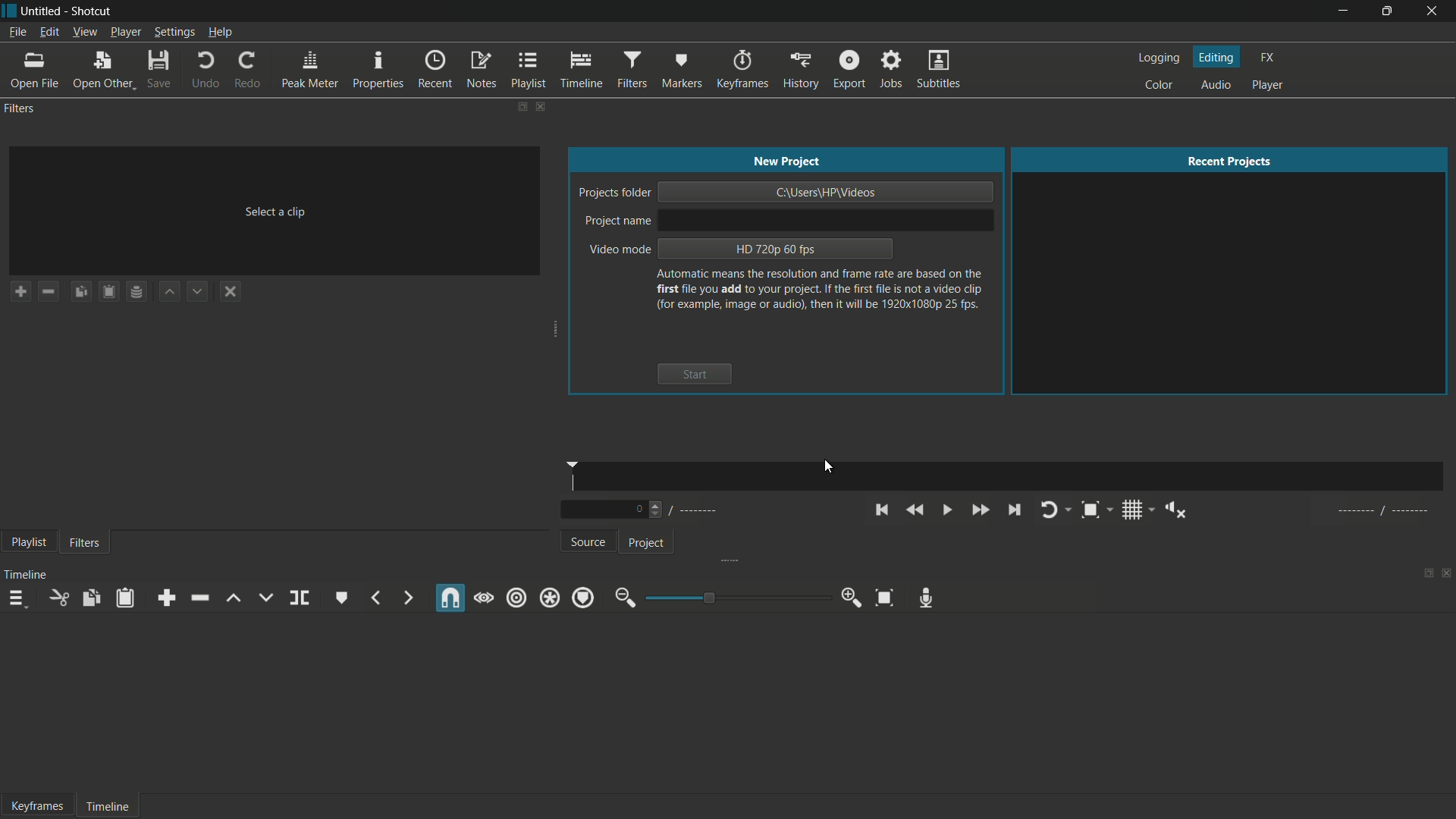 The height and width of the screenshot is (819, 1456). I want to click on app name, so click(94, 9).